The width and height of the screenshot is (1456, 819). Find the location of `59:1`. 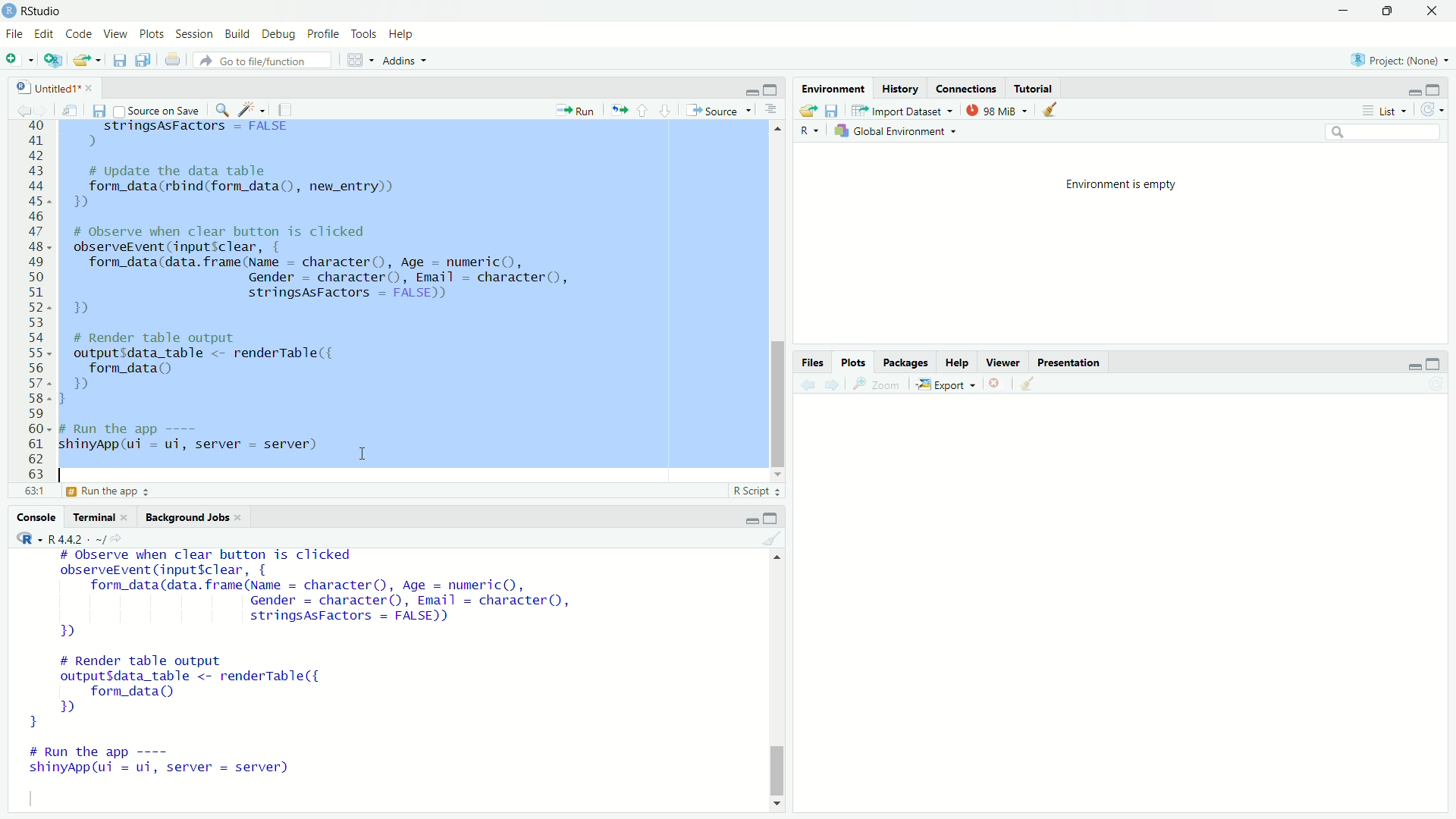

59:1 is located at coordinates (33, 494).